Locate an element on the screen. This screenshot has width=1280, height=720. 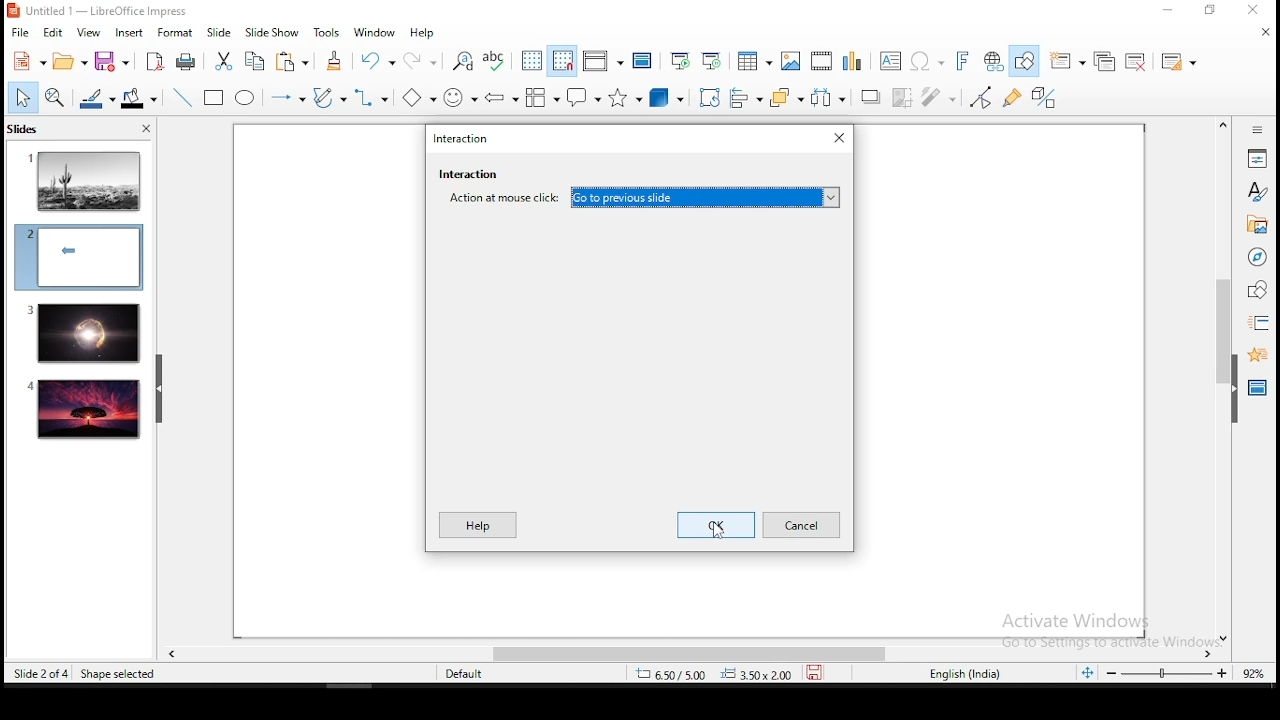
find and replace is located at coordinates (463, 59).